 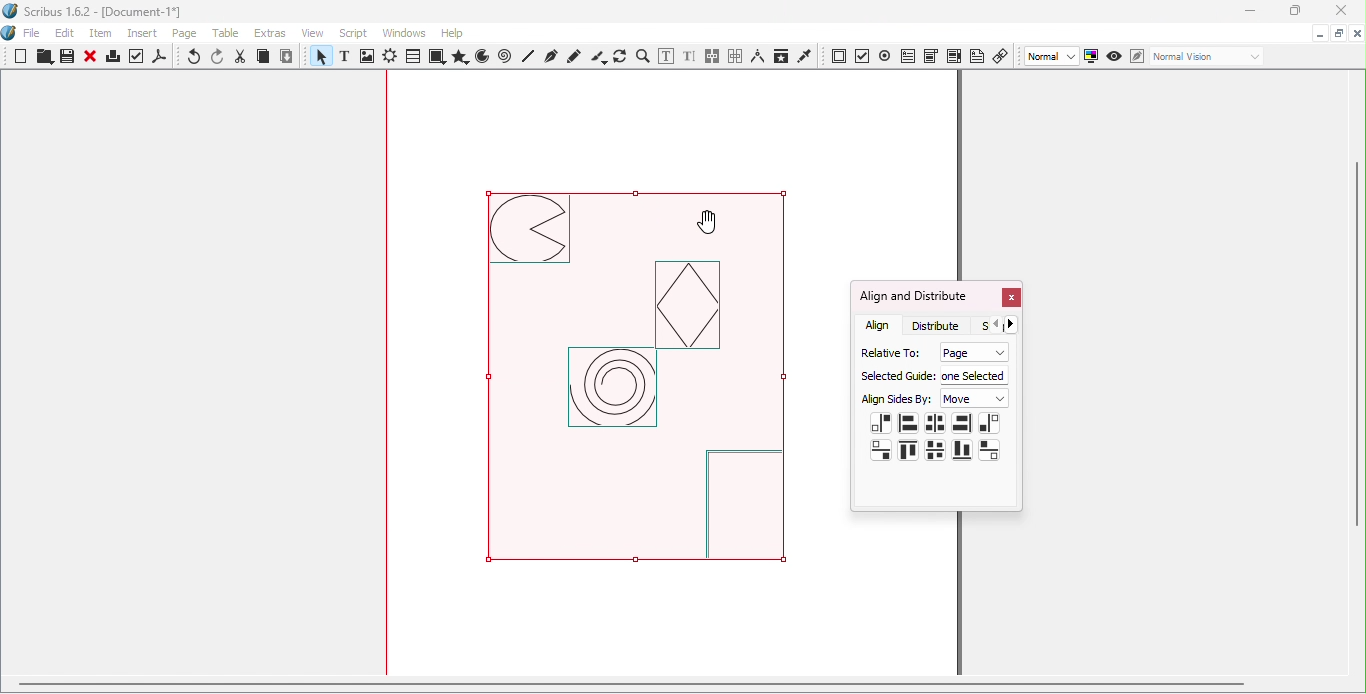 What do you see at coordinates (1015, 324) in the screenshot?
I see `Go forward` at bounding box center [1015, 324].